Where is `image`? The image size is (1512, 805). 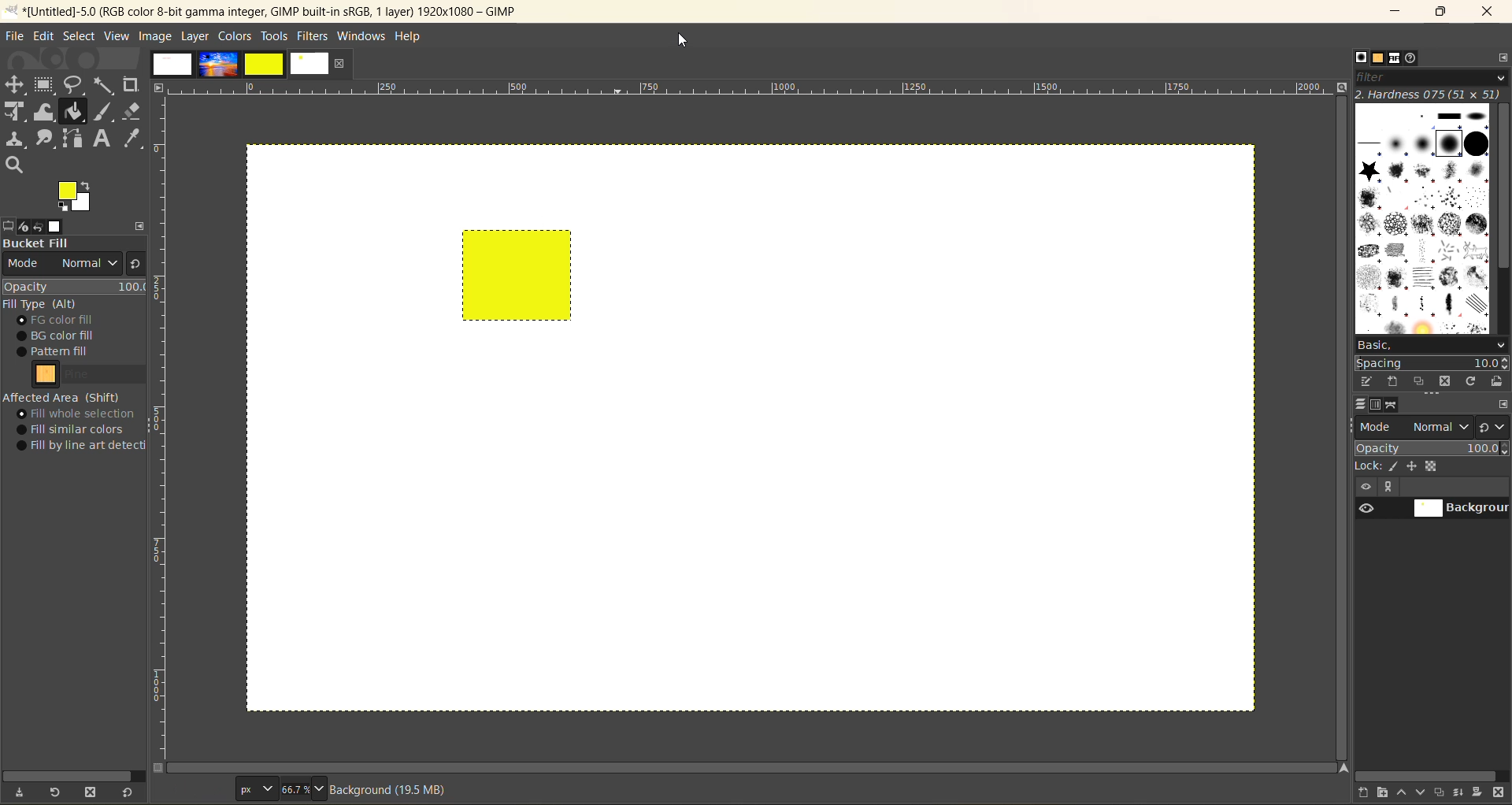 image is located at coordinates (156, 37).